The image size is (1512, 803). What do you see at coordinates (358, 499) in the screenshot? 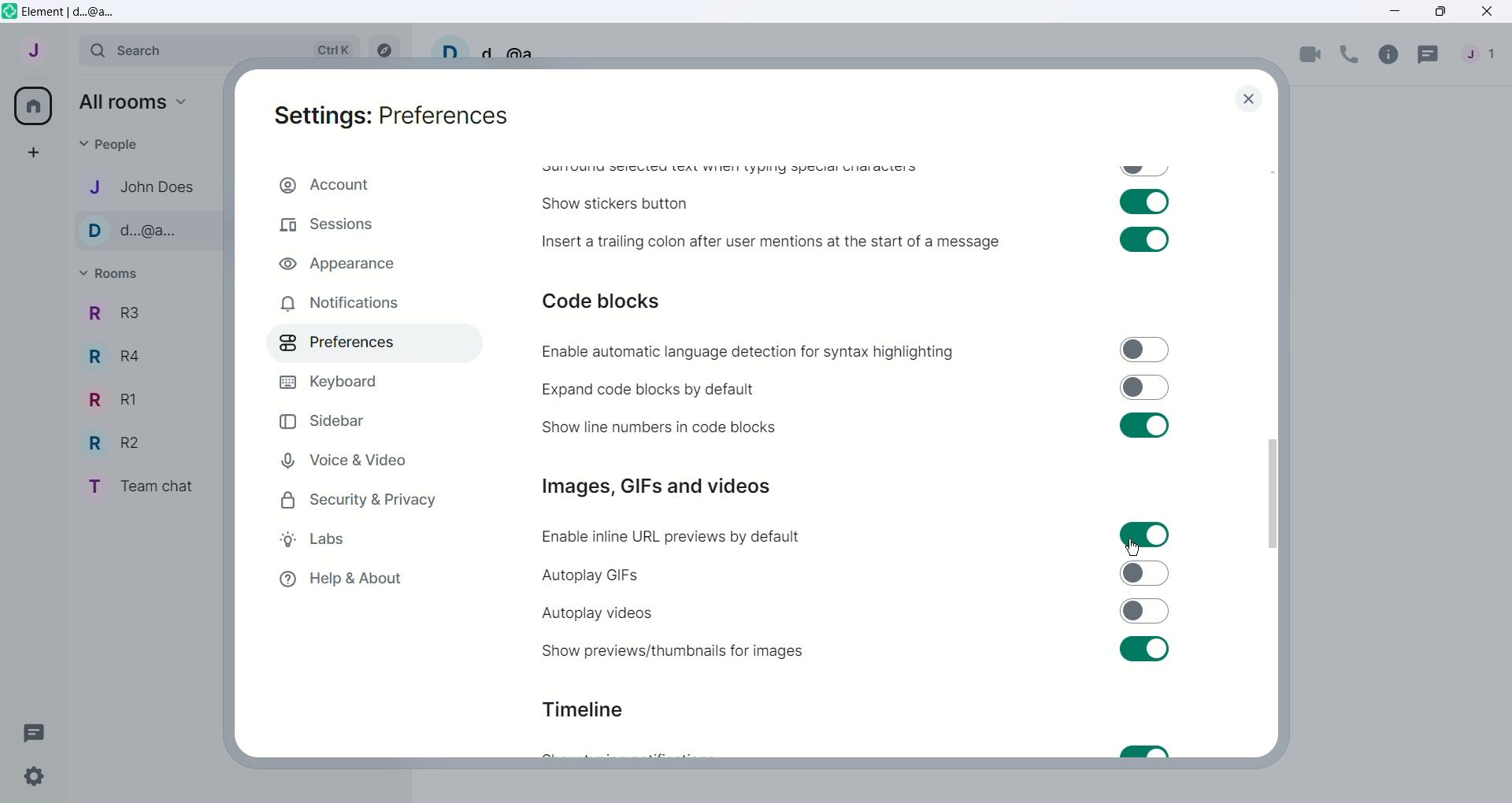
I see `Security and Privacy` at bounding box center [358, 499].